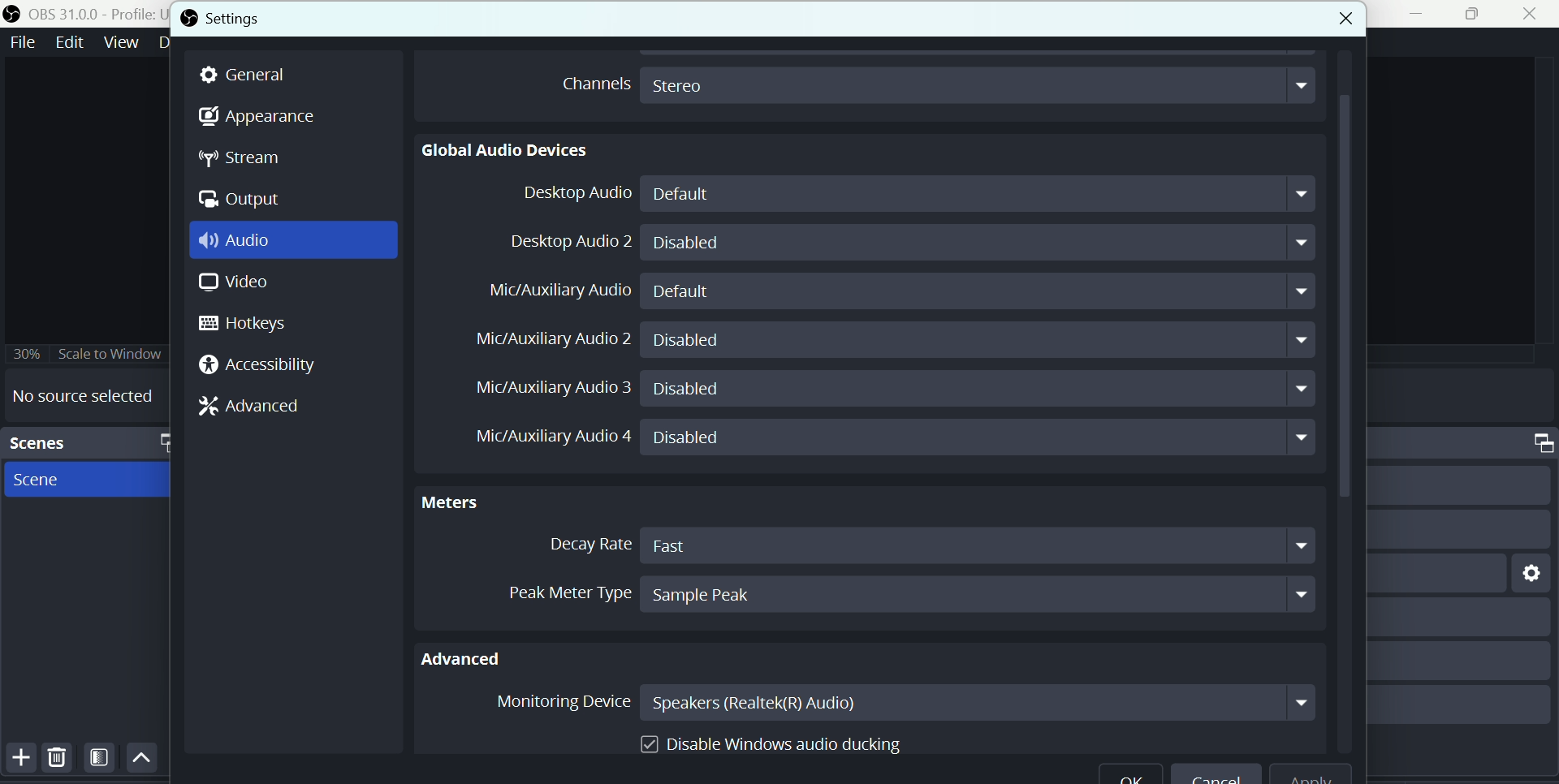 This screenshot has width=1559, height=784. Describe the element at coordinates (507, 149) in the screenshot. I see `Global Audio Devices` at that location.